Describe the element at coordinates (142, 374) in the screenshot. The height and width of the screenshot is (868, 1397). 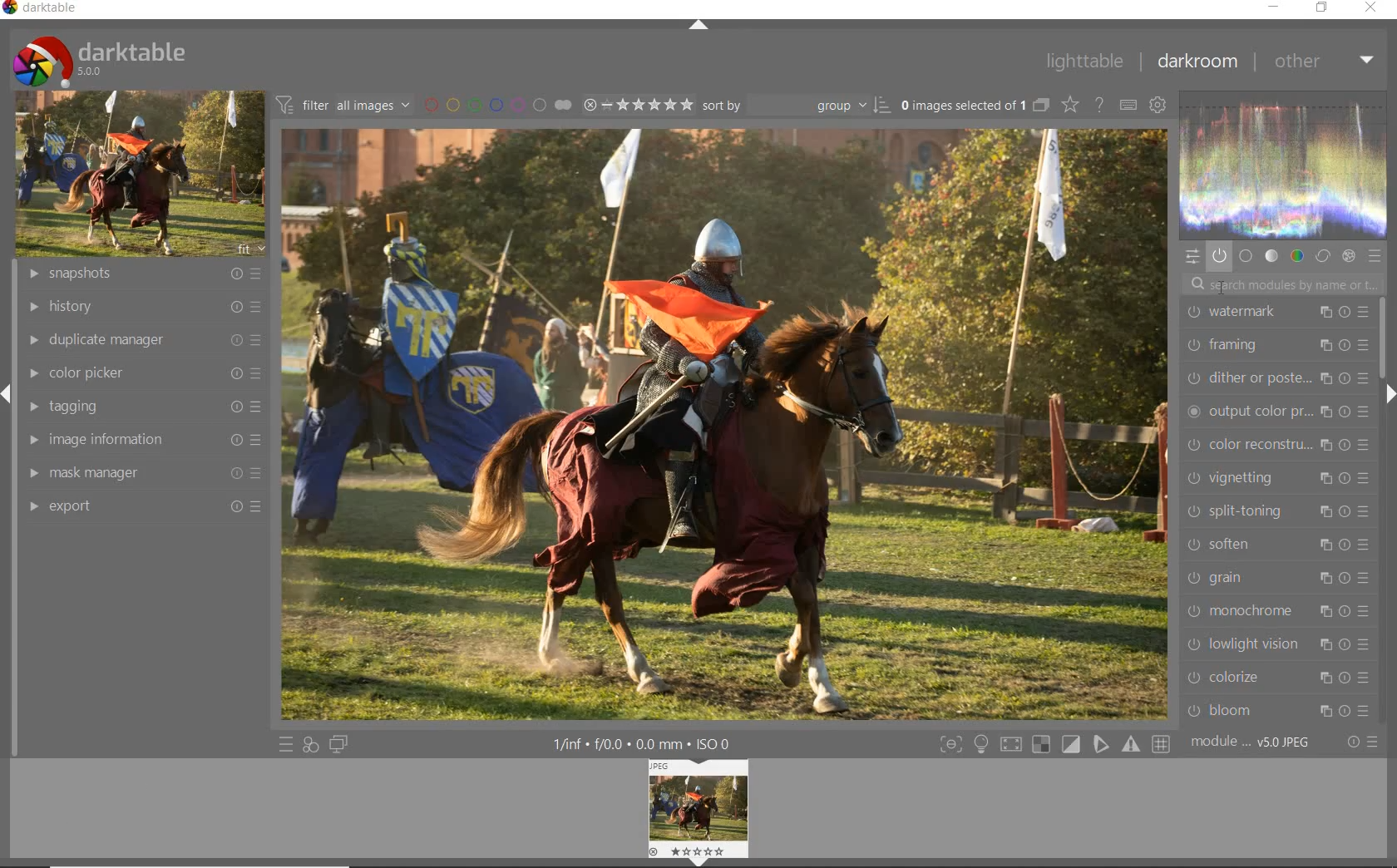
I see `color picker` at that location.